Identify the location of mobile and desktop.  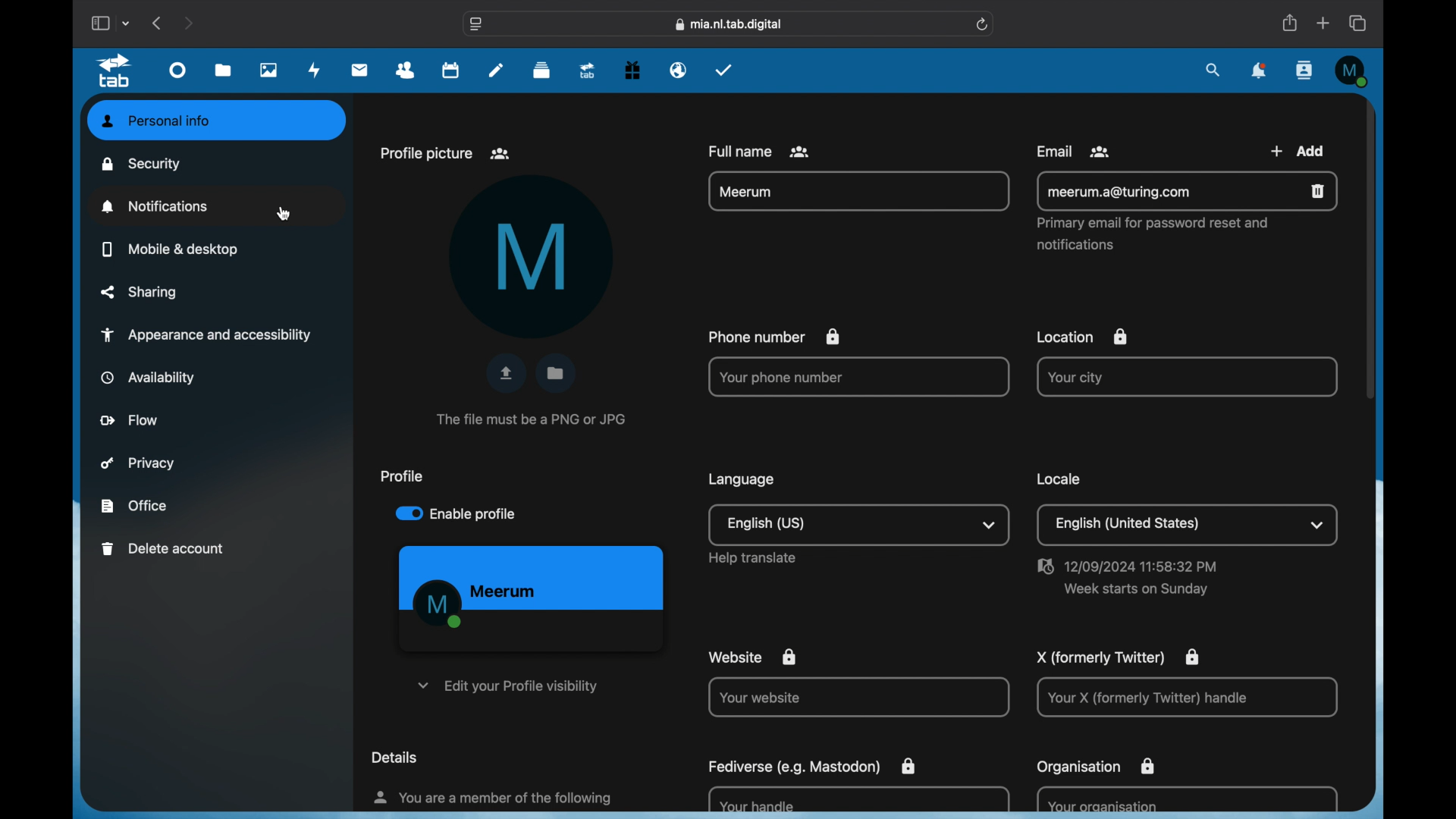
(170, 250).